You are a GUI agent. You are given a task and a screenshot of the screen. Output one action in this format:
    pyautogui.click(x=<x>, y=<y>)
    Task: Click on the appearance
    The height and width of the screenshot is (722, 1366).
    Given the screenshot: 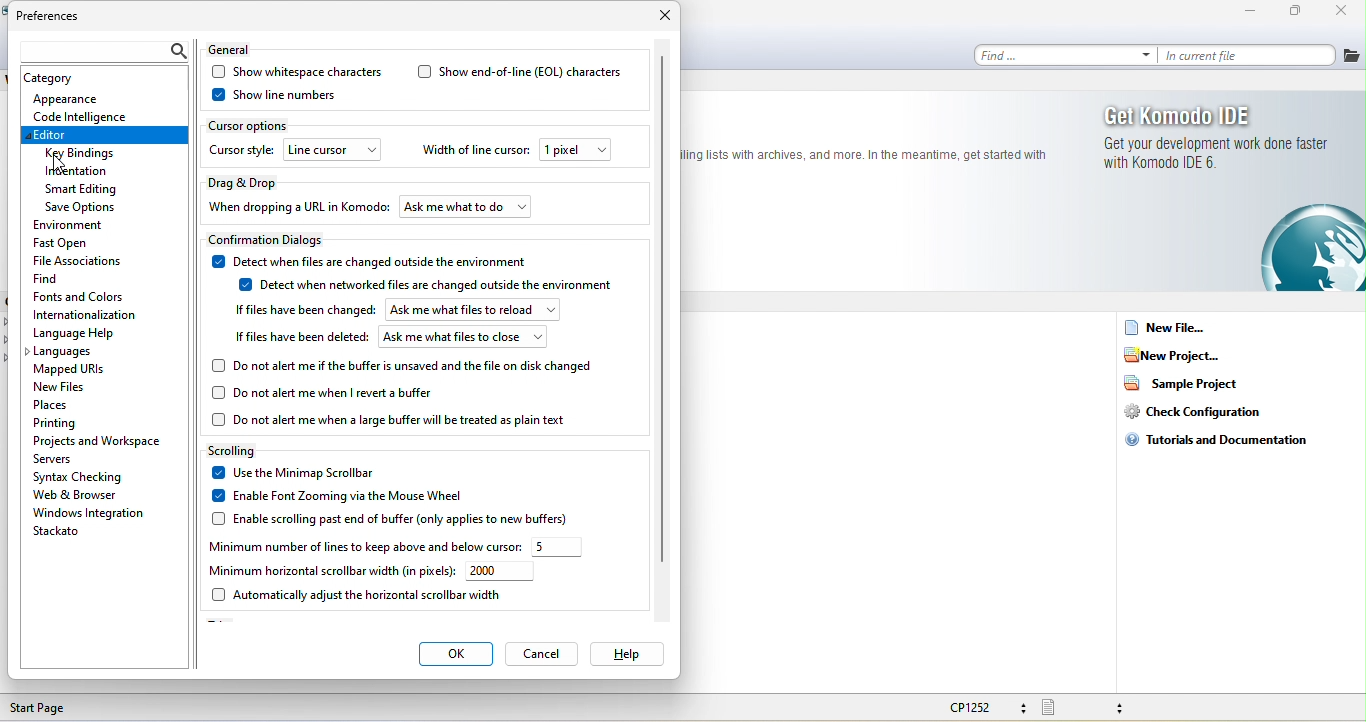 What is the action you would take?
    pyautogui.click(x=78, y=98)
    